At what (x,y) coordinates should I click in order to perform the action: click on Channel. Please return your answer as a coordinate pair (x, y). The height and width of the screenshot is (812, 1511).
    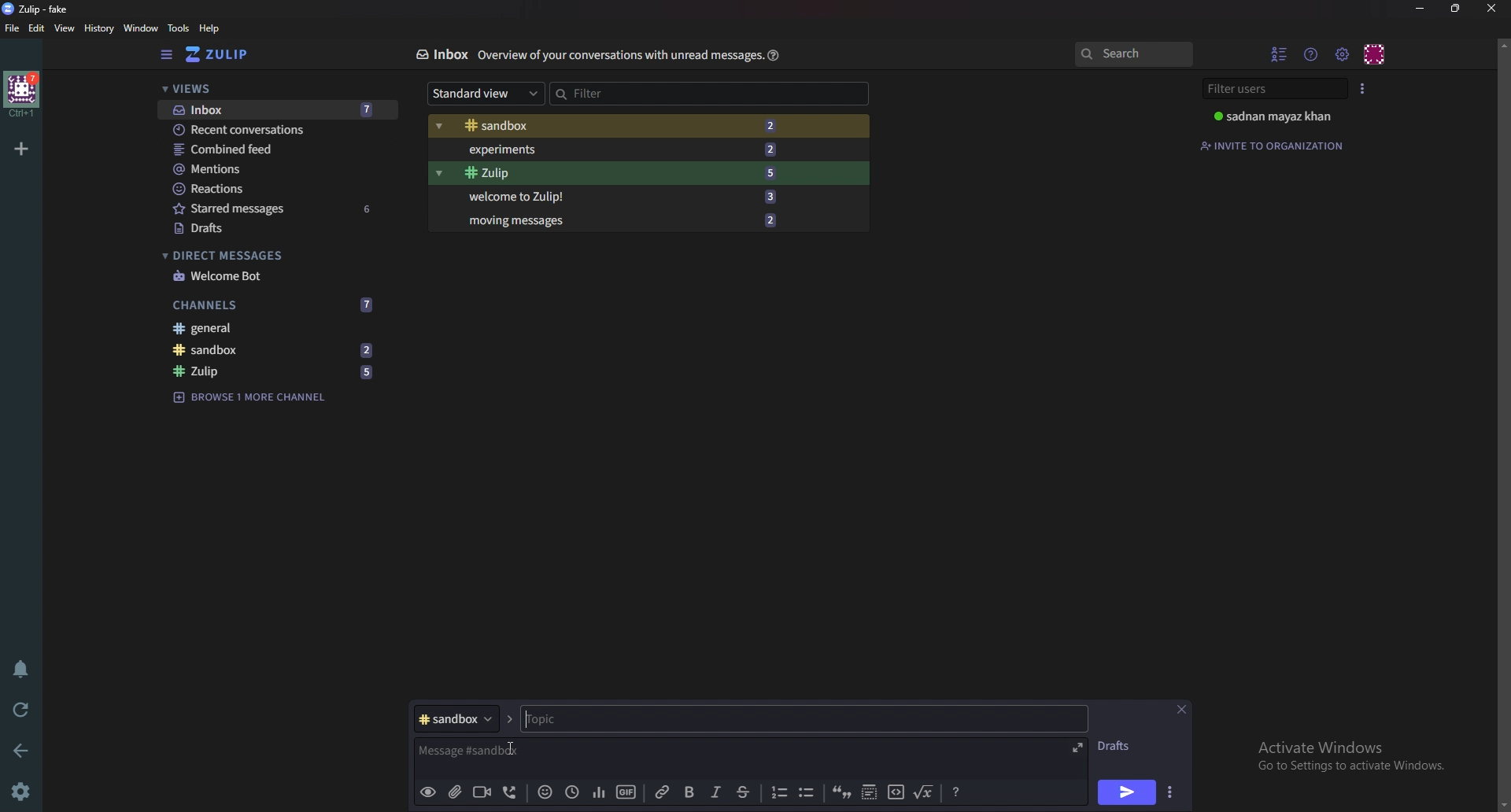
    Looking at the image, I should click on (456, 718).